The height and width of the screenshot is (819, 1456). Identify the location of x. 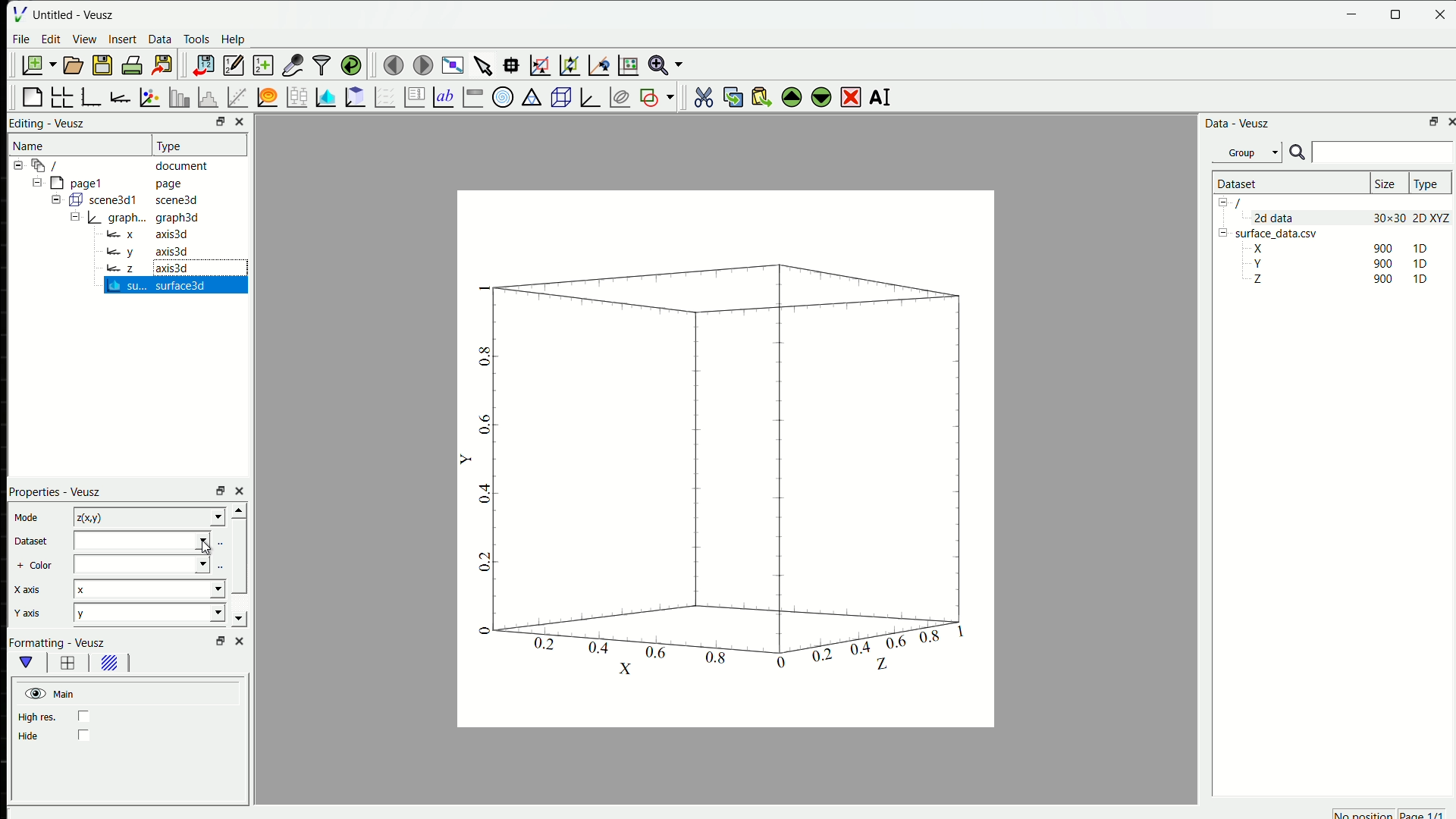
(140, 588).